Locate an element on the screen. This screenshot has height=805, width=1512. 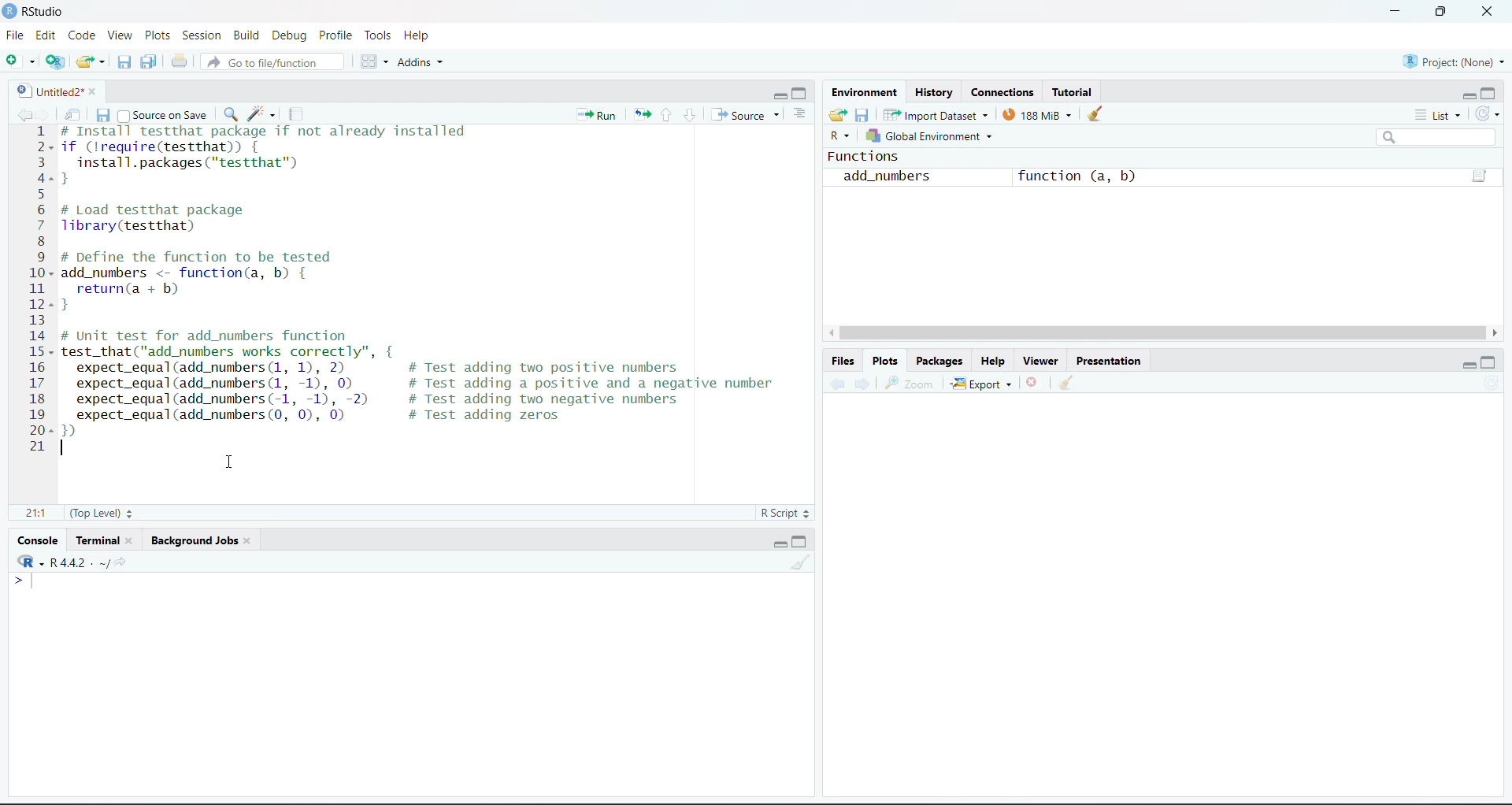
Functions is located at coordinates (864, 156).